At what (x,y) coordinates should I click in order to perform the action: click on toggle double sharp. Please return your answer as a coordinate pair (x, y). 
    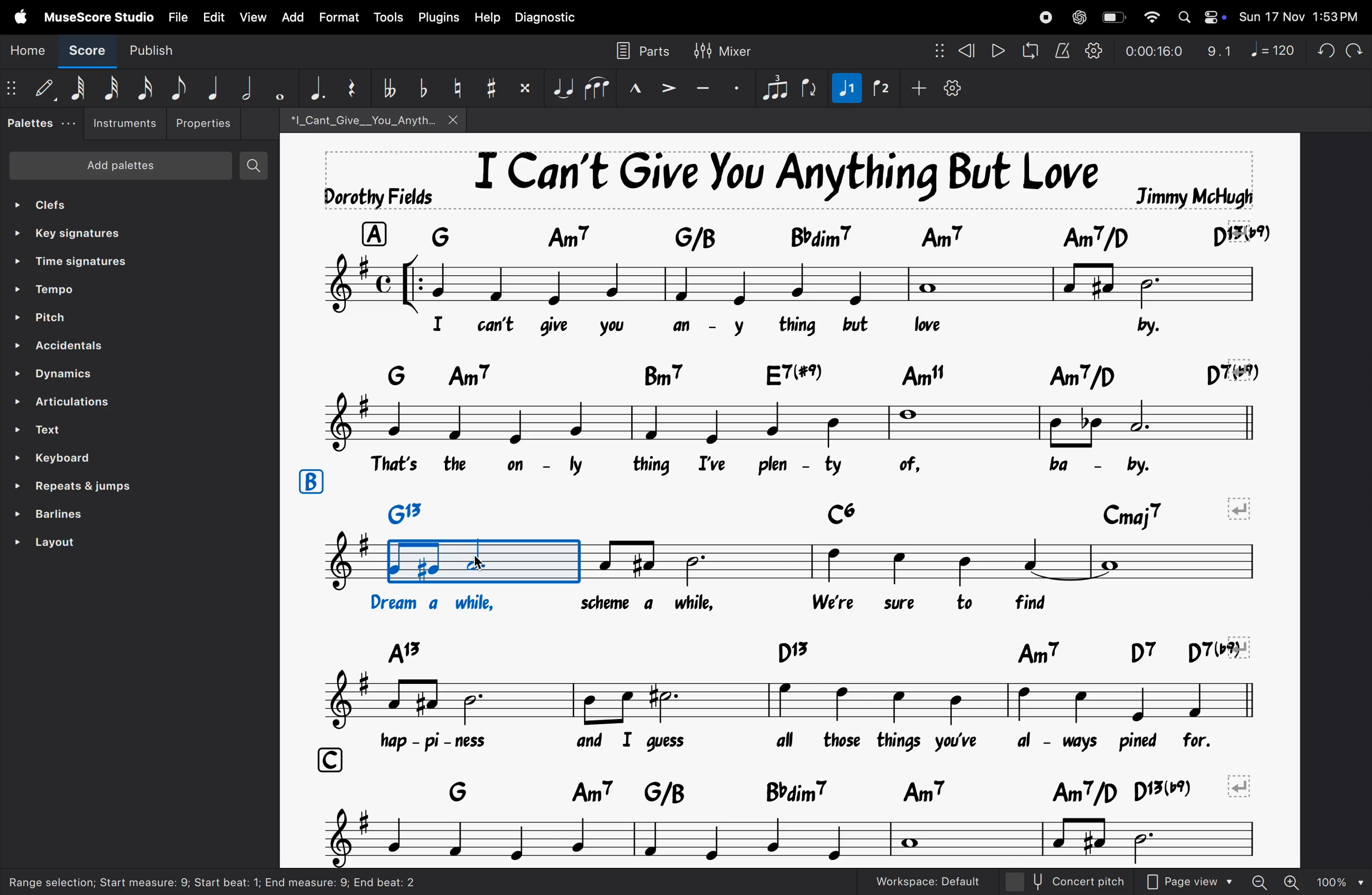
    Looking at the image, I should click on (525, 88).